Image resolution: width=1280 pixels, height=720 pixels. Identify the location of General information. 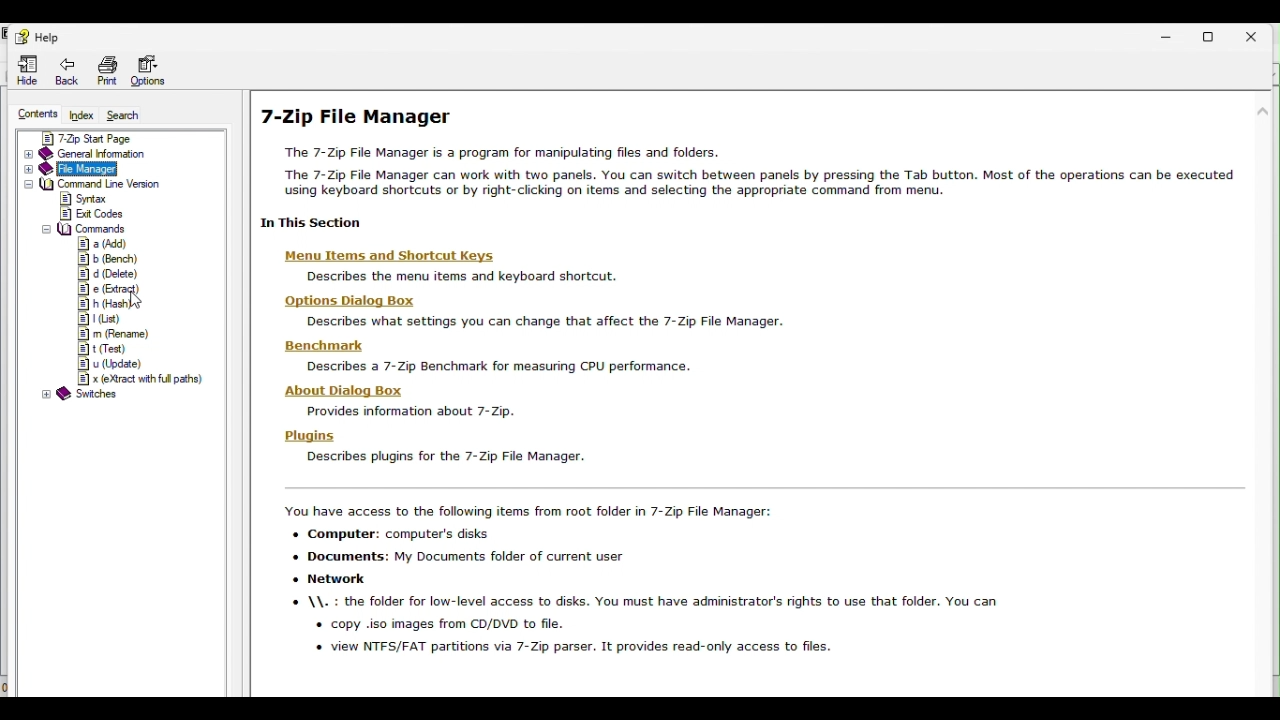
(108, 154).